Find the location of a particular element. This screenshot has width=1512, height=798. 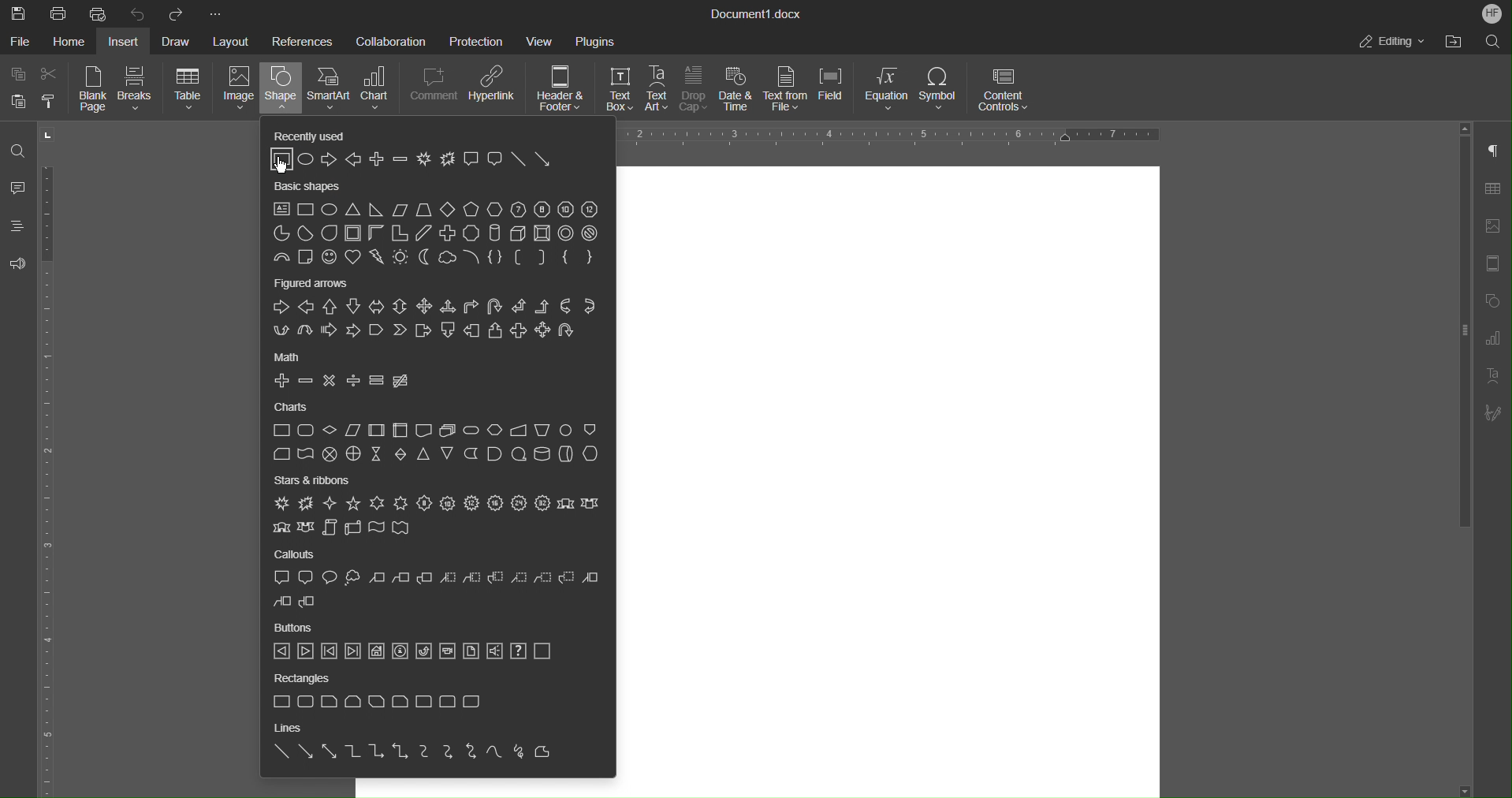

Figured Arrows is located at coordinates (318, 285).